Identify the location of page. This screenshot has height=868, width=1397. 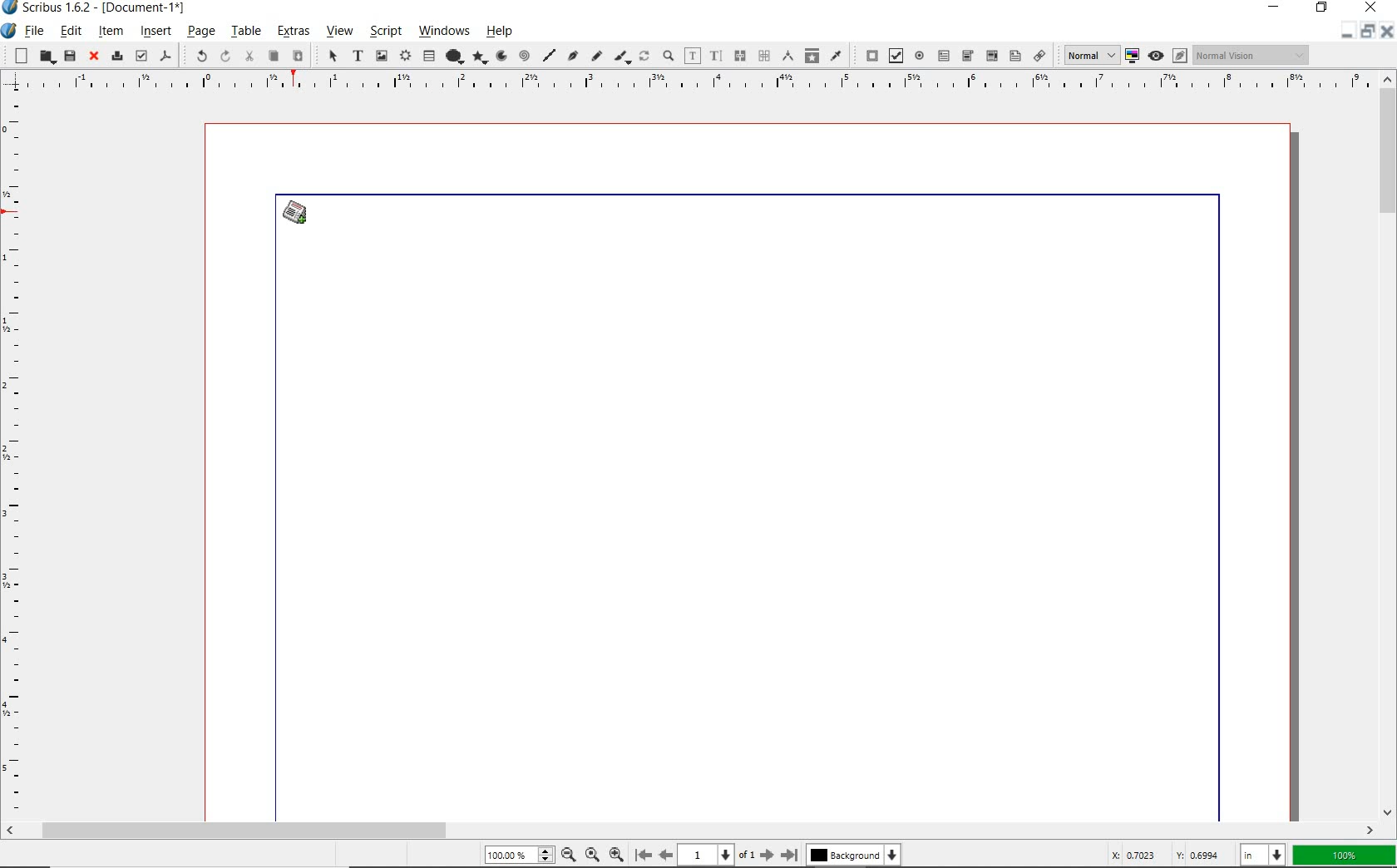
(200, 32).